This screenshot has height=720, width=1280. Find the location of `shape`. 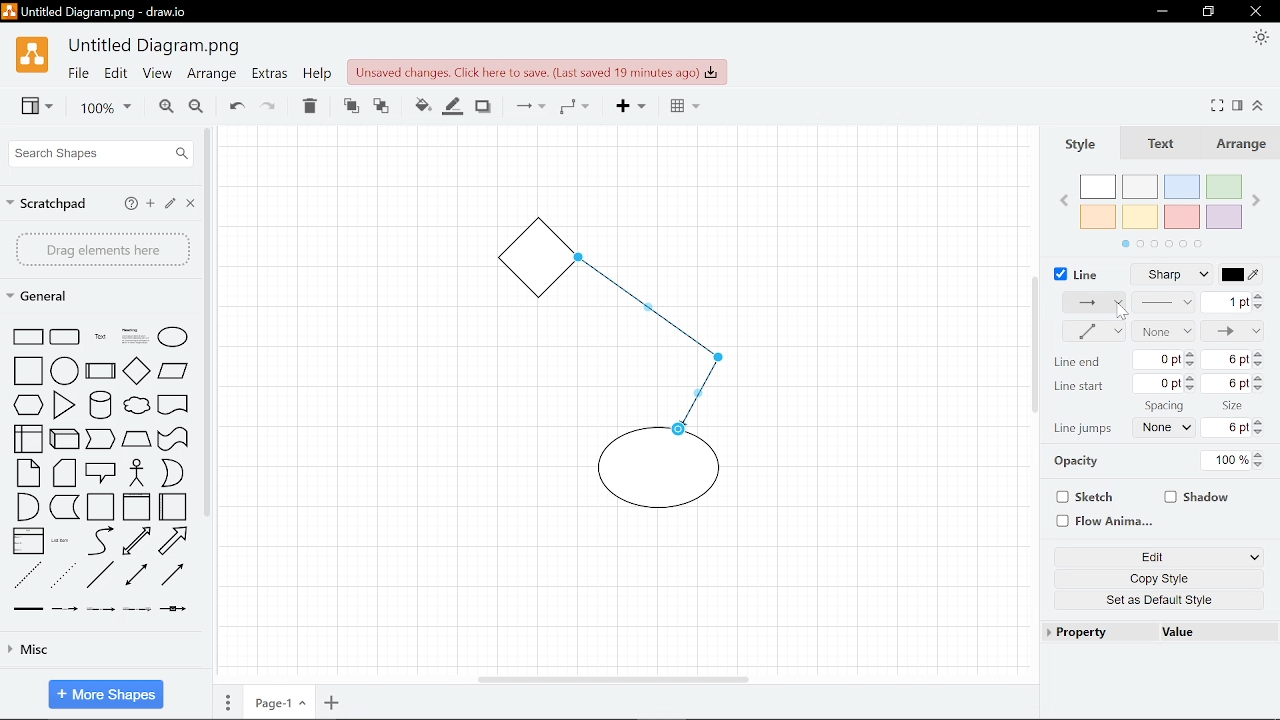

shape is located at coordinates (173, 439).